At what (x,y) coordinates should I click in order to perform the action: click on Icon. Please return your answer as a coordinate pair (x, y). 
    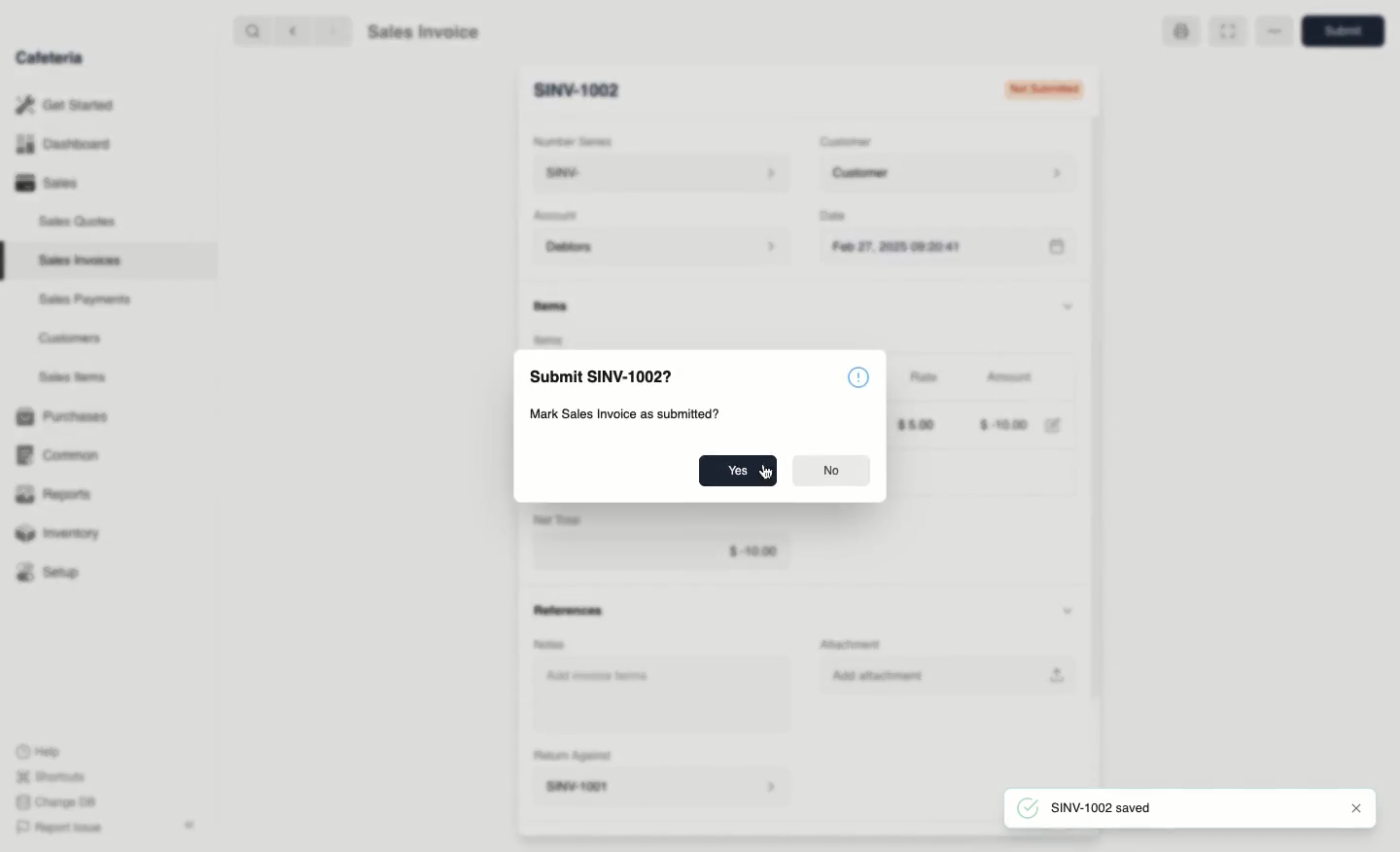
    Looking at the image, I should click on (859, 378).